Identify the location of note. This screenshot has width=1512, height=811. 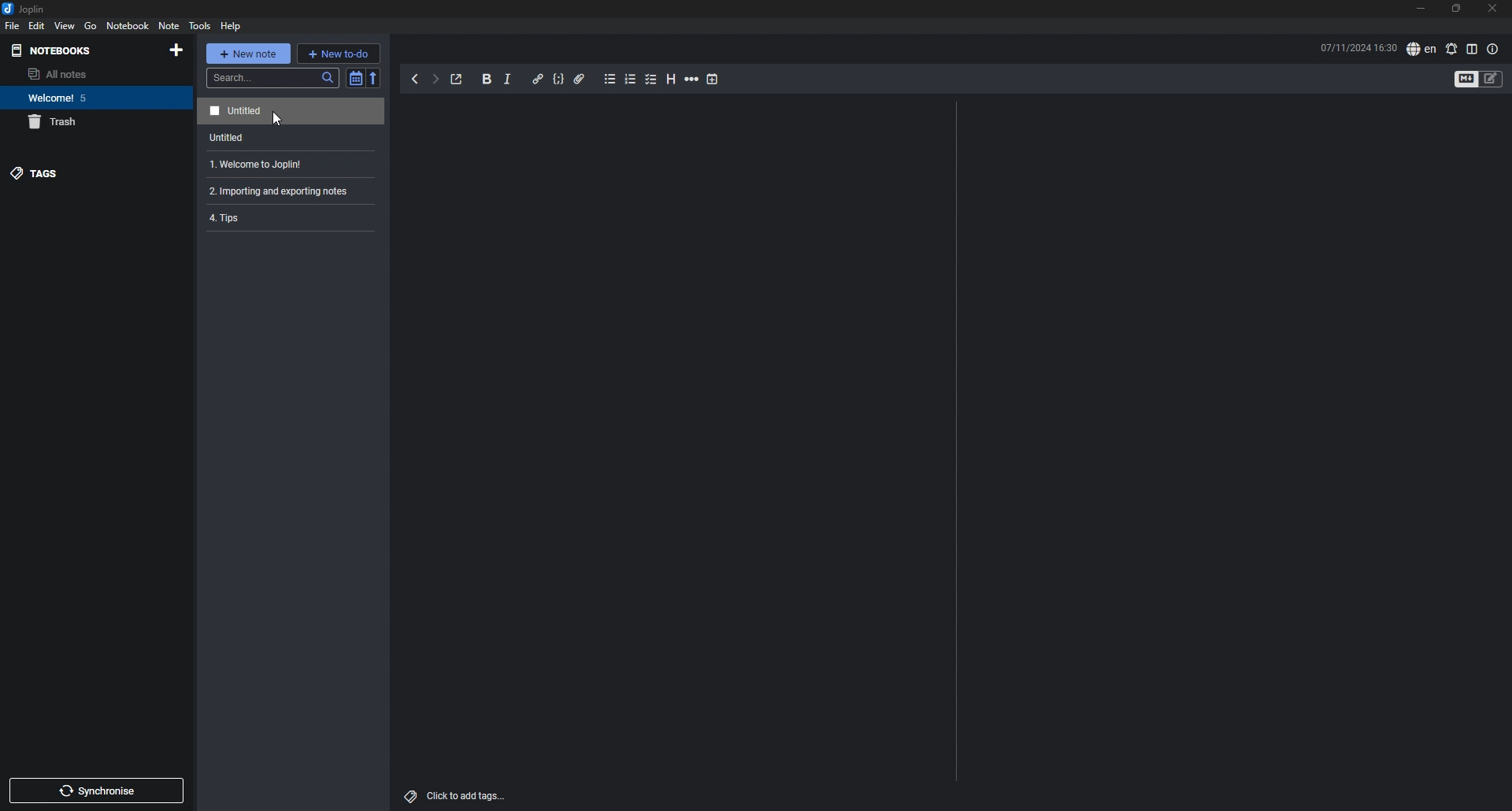
(293, 220).